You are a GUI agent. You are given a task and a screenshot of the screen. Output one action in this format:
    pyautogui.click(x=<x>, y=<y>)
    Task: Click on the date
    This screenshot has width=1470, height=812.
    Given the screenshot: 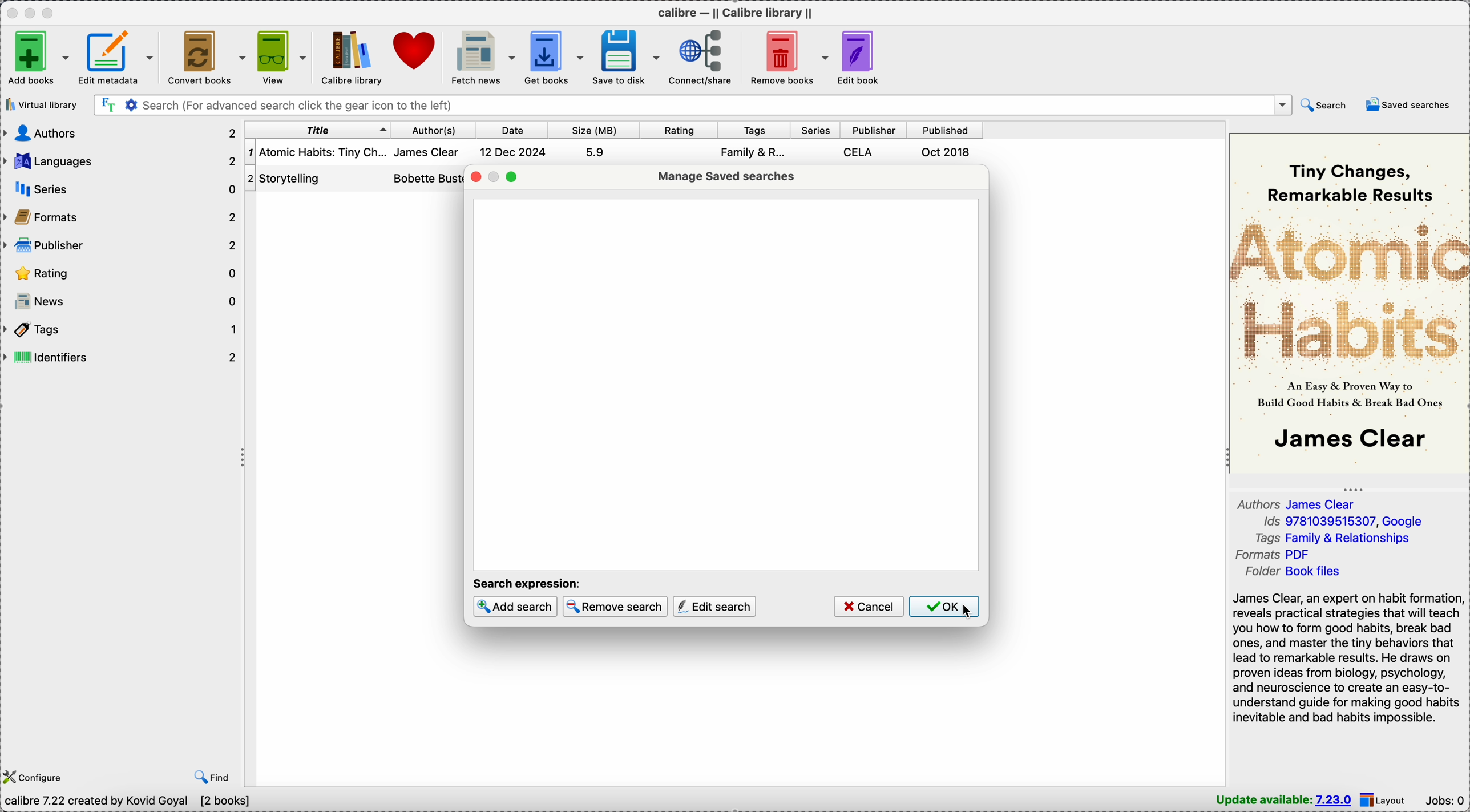 What is the action you would take?
    pyautogui.click(x=514, y=151)
    